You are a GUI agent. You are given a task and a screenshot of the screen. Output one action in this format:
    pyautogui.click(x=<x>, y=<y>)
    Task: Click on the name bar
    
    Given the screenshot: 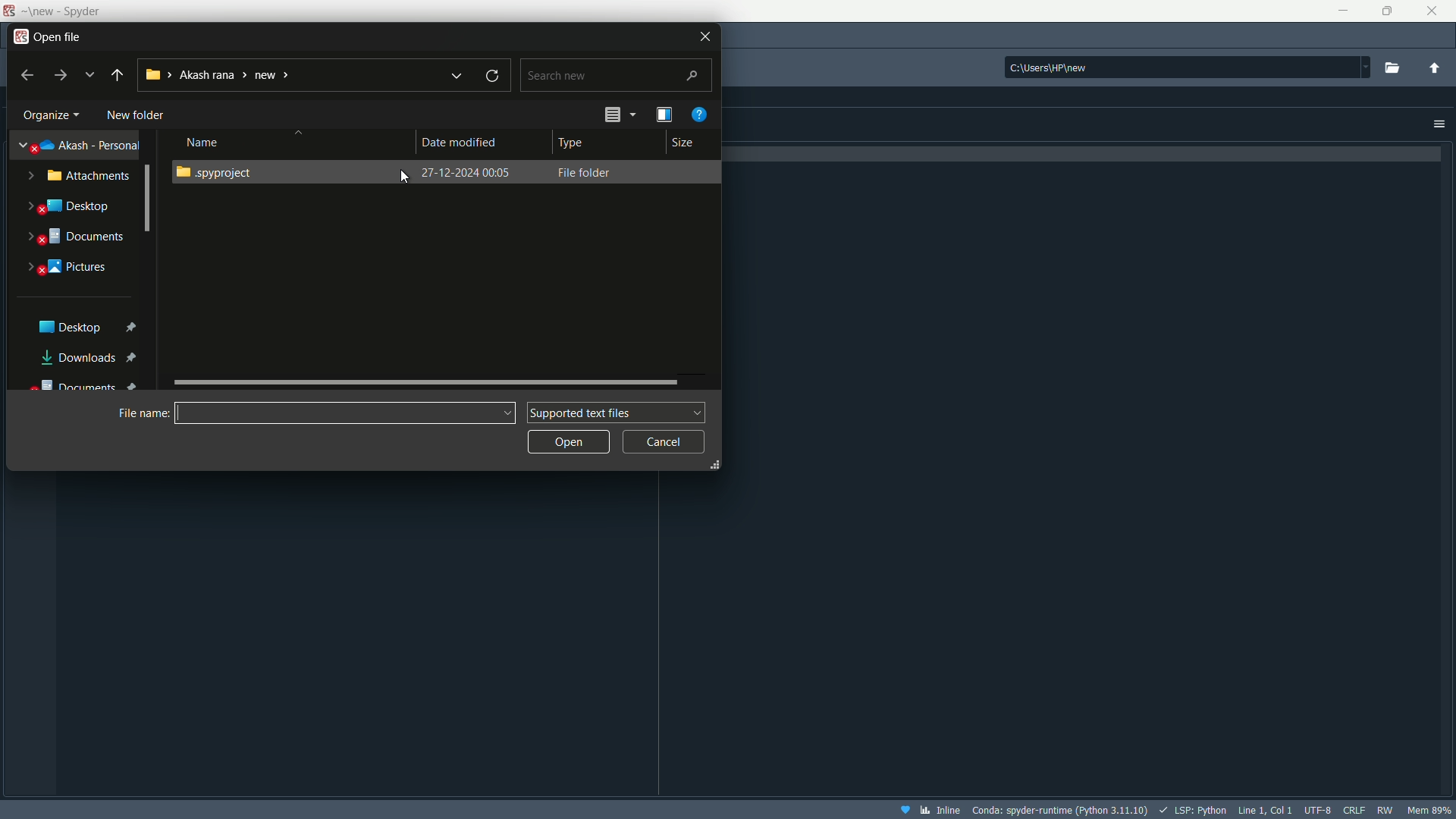 What is the action you would take?
    pyautogui.click(x=345, y=413)
    